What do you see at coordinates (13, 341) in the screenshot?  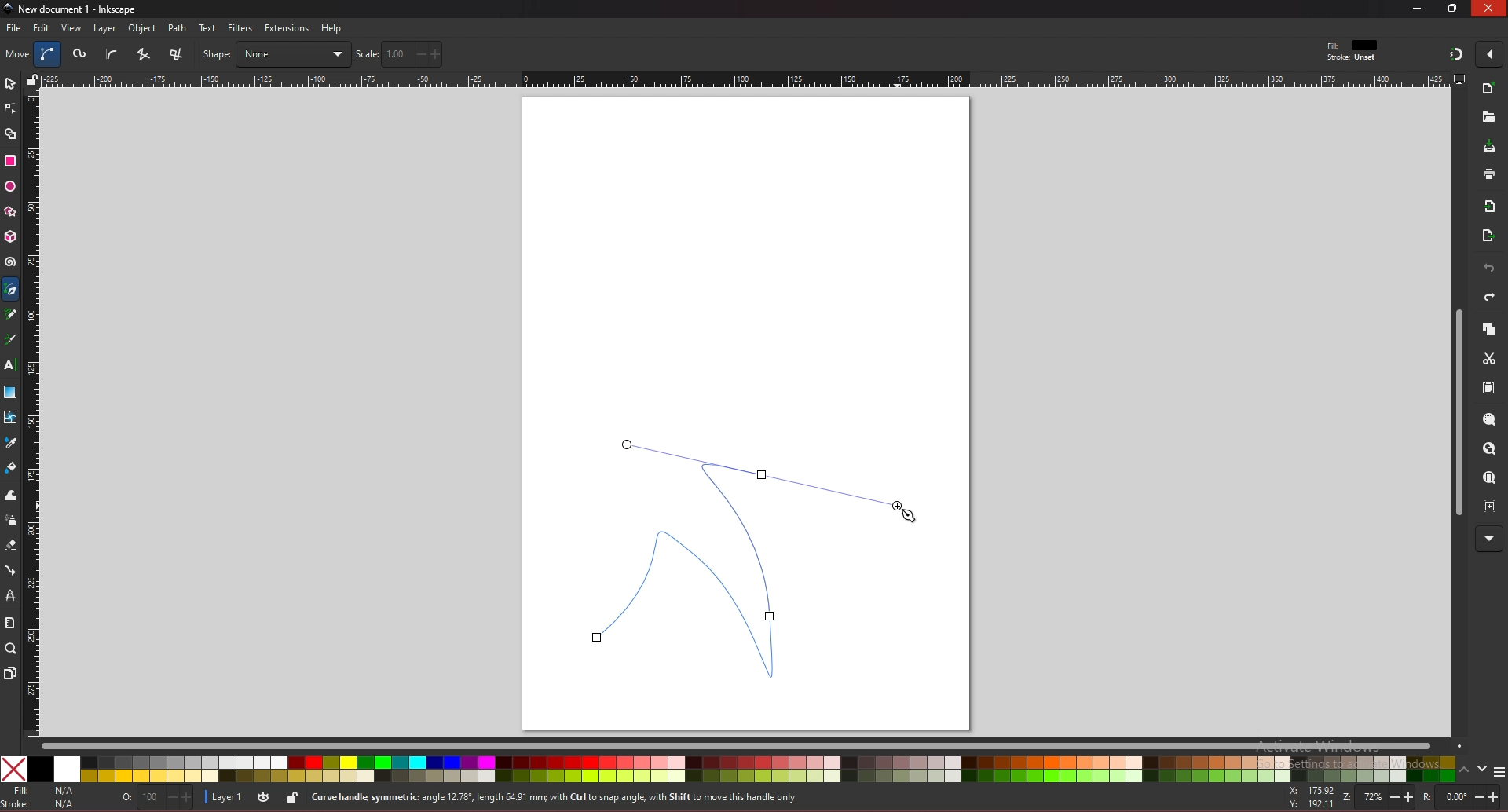 I see `calligraphy` at bounding box center [13, 341].